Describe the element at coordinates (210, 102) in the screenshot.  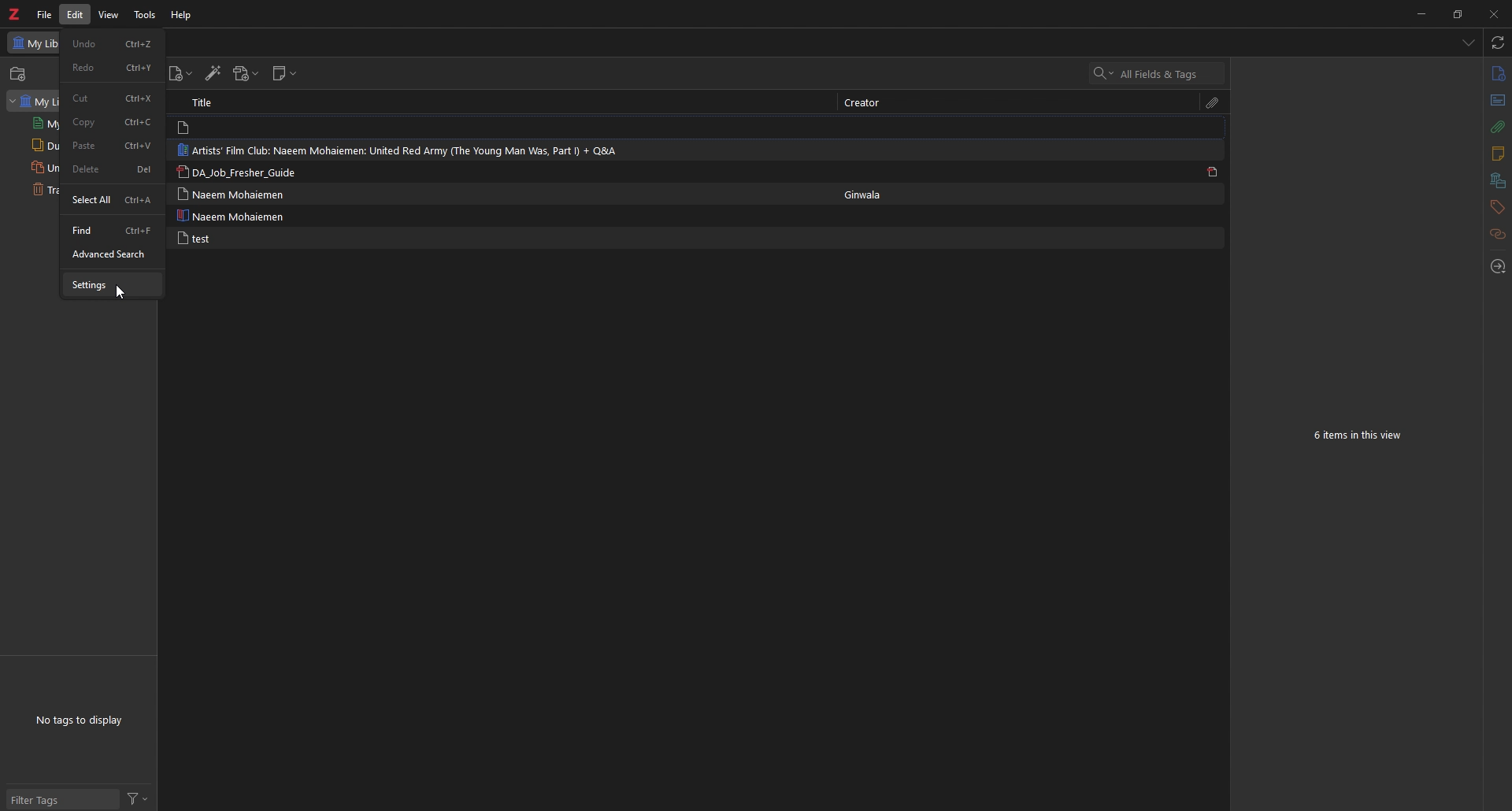
I see `title` at that location.